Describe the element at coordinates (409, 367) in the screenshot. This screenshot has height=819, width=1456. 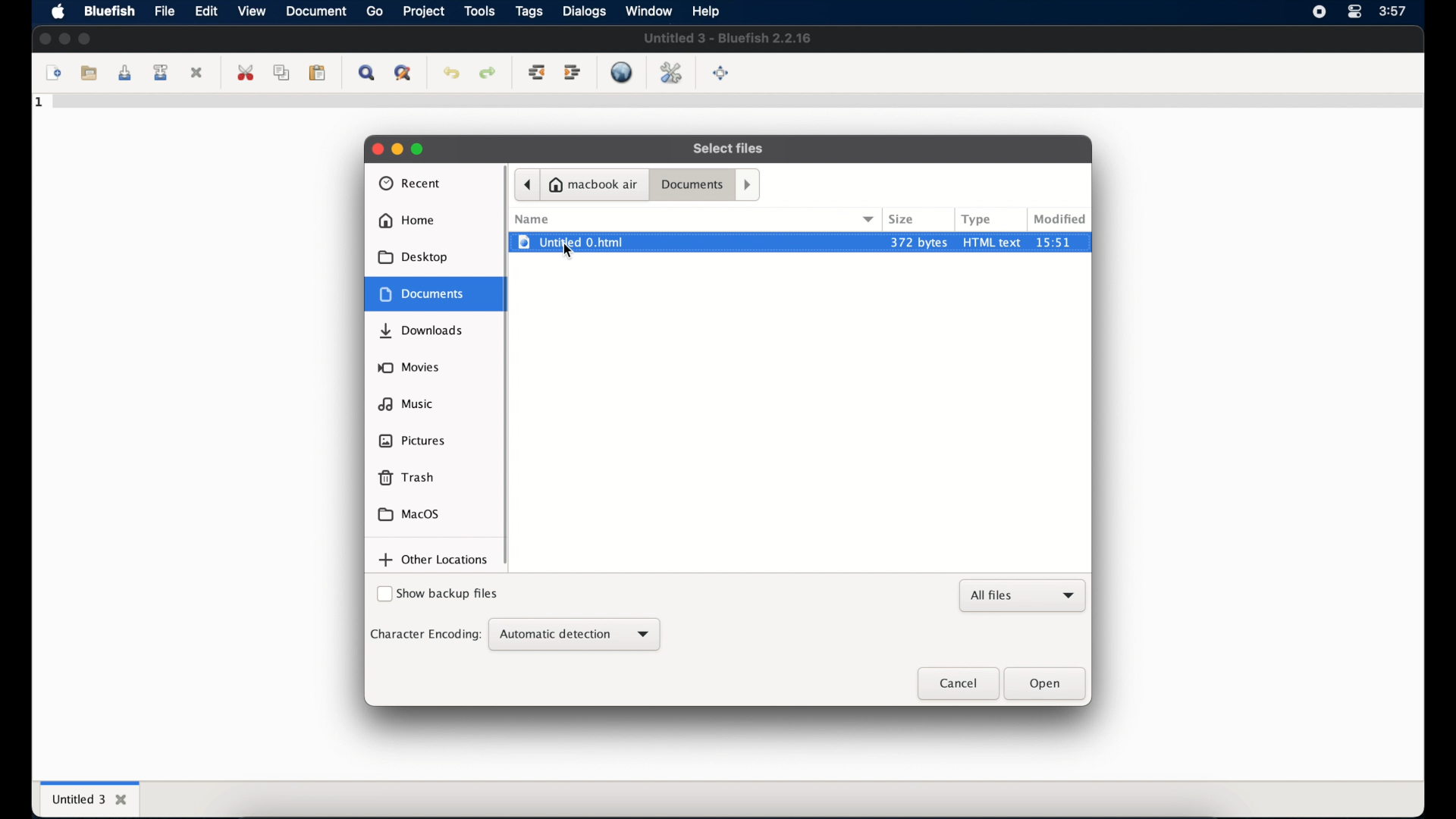
I see `movies` at that location.